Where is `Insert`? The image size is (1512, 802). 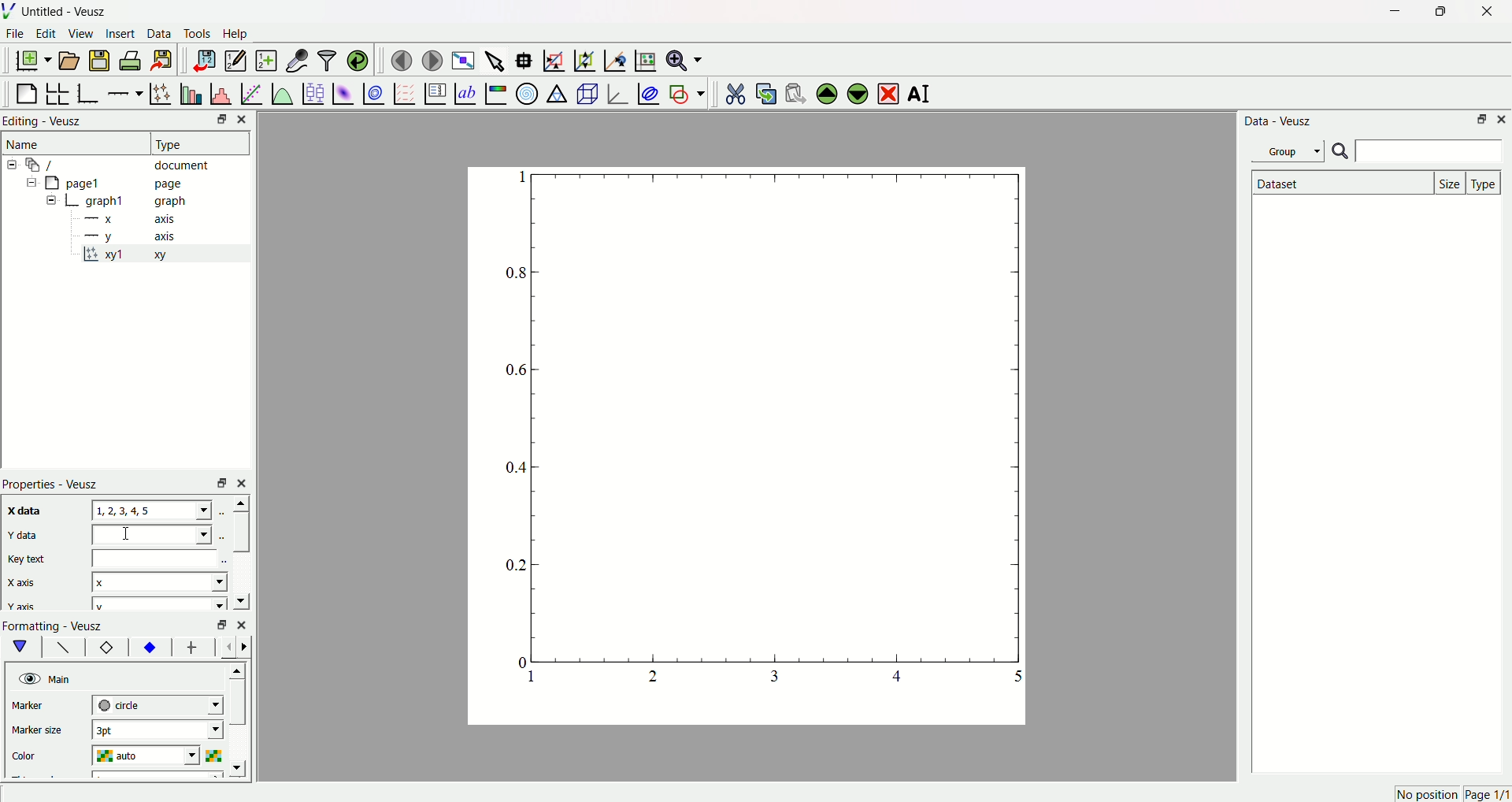 Insert is located at coordinates (120, 35).